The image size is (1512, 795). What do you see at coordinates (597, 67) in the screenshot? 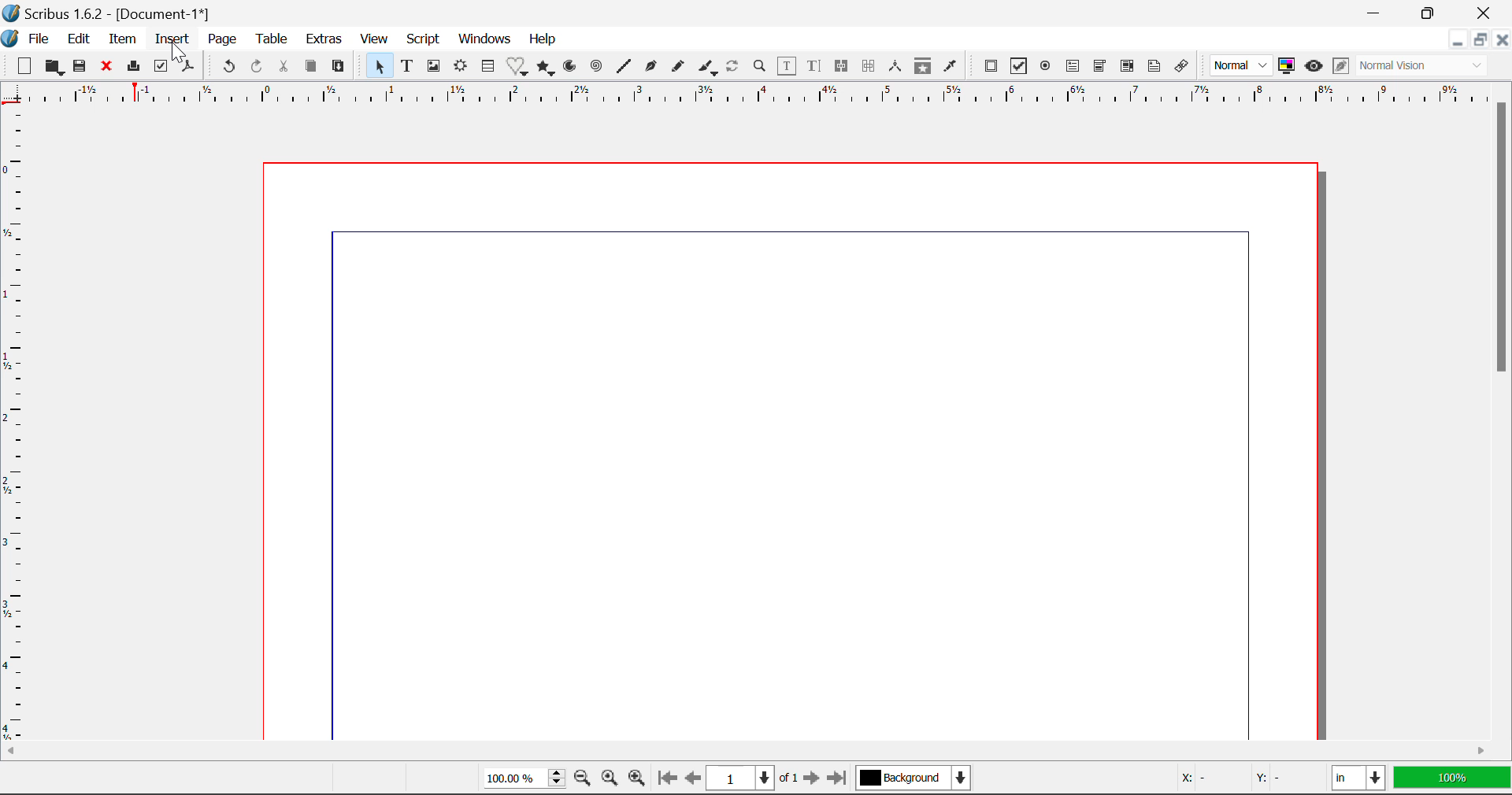
I see `Spiral` at bounding box center [597, 67].